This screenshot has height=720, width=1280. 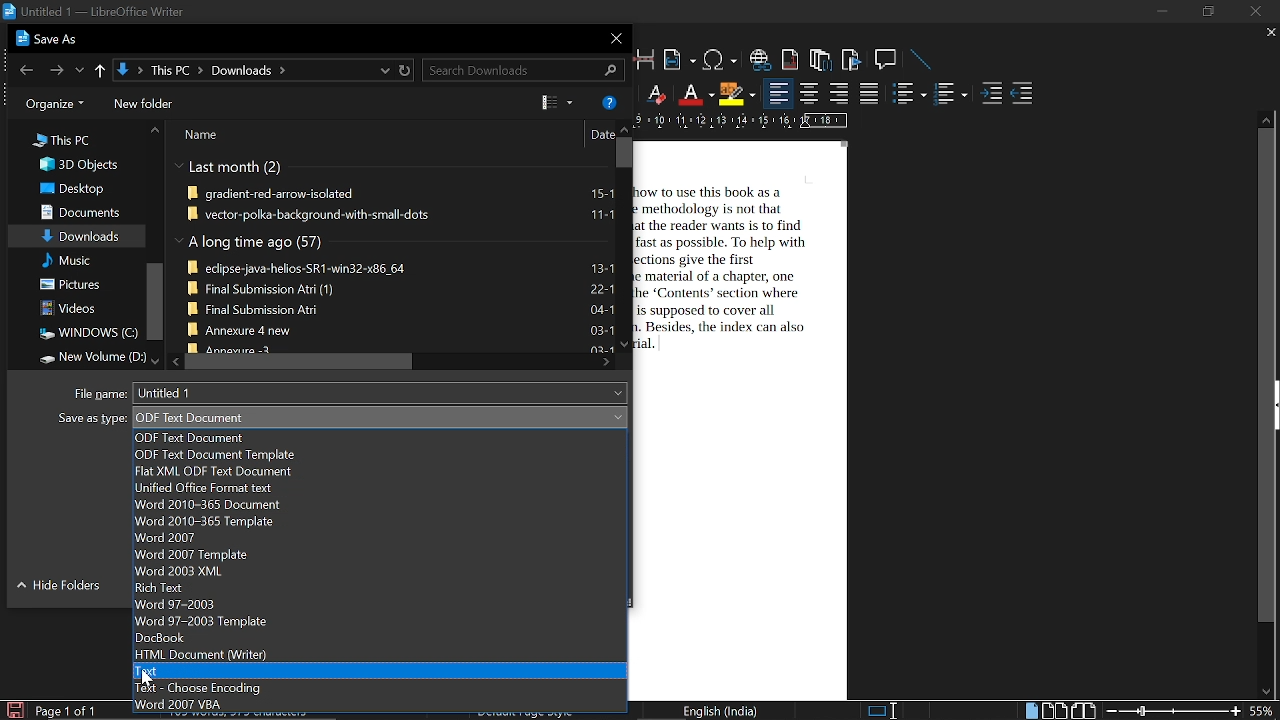 I want to click on word 2003 xml, so click(x=379, y=570).